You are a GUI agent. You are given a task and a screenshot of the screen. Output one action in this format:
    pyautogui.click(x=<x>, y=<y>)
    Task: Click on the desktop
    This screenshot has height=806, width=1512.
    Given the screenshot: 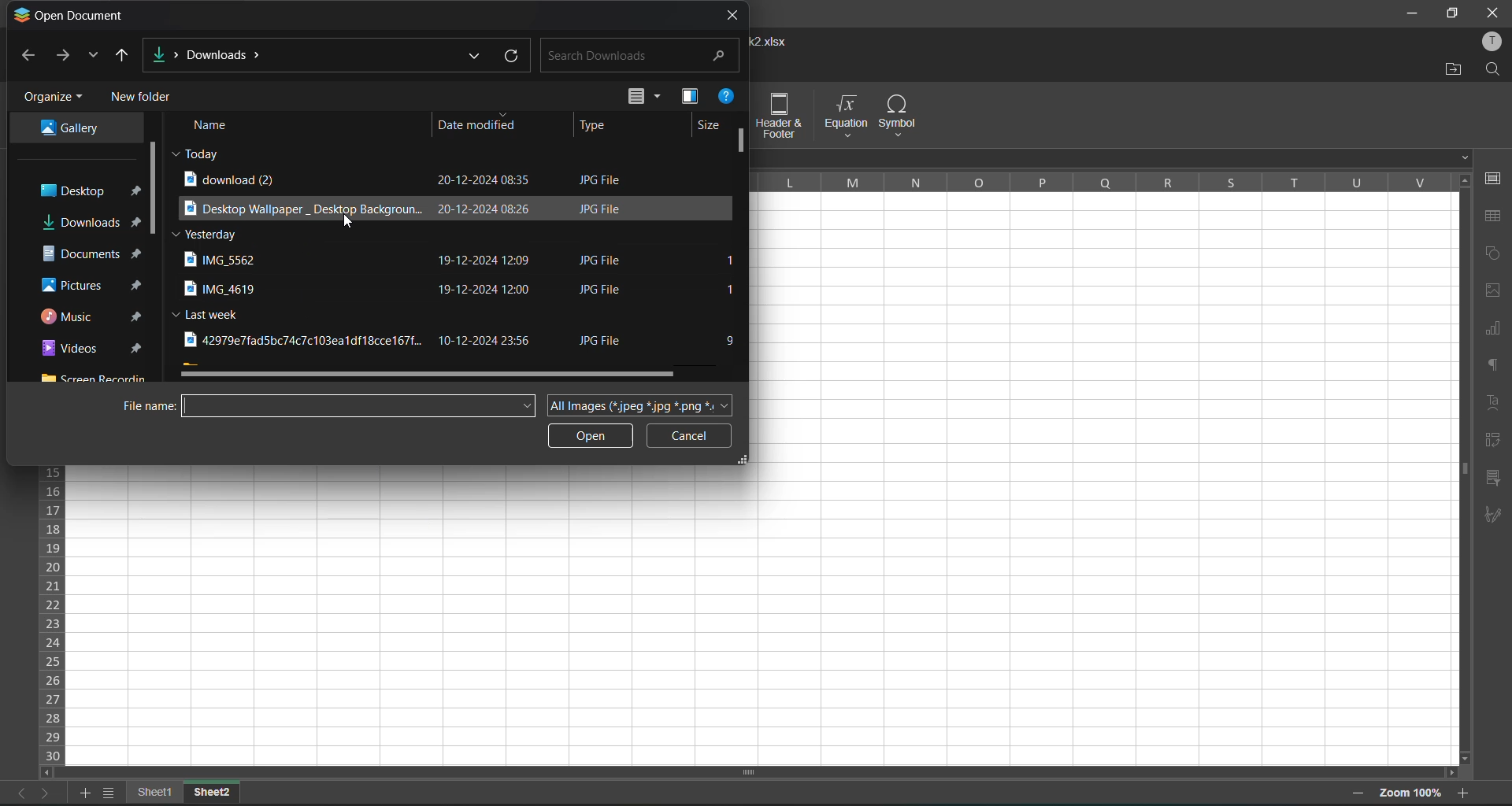 What is the action you would take?
    pyautogui.click(x=88, y=192)
    